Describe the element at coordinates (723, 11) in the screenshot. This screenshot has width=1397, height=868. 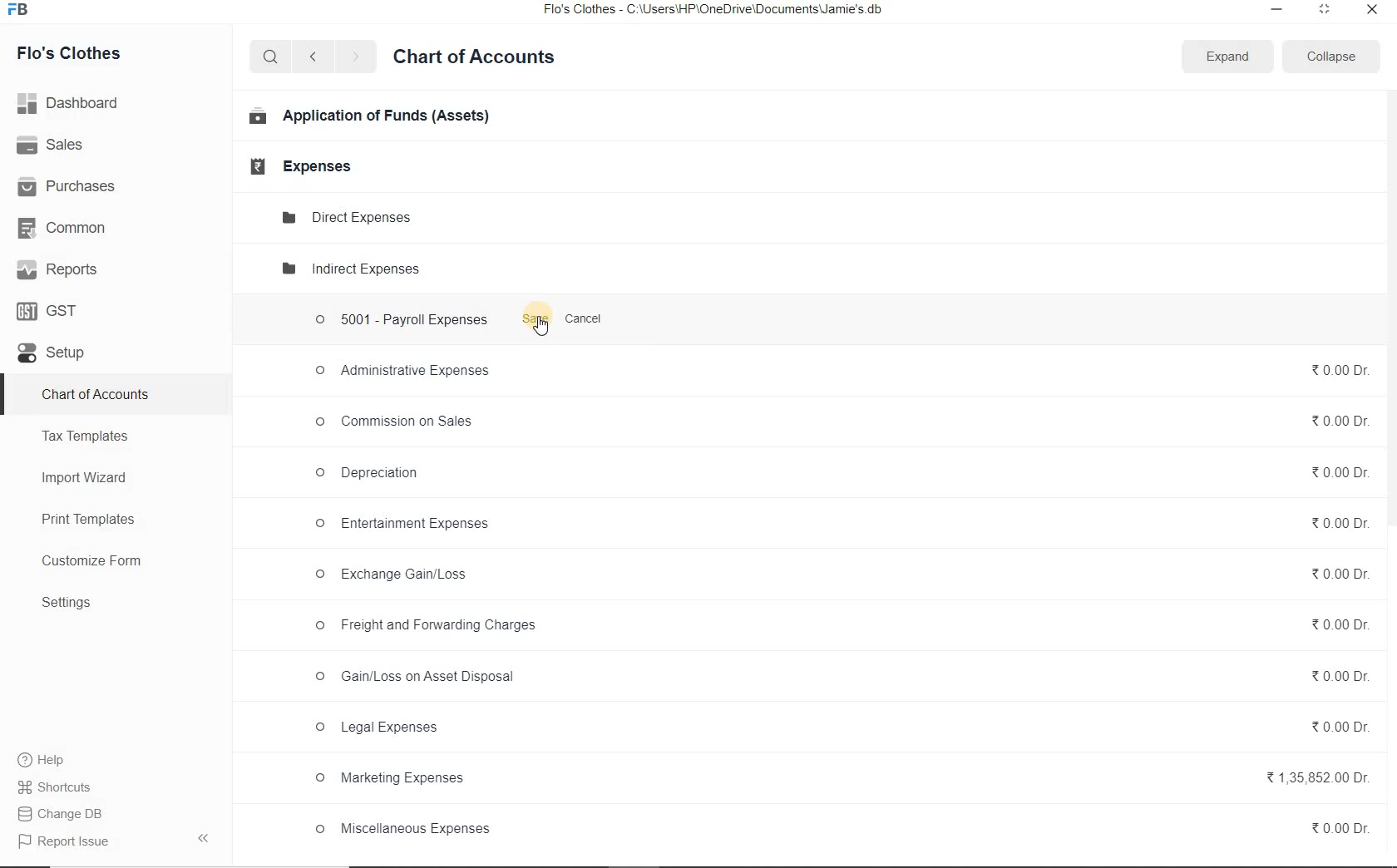
I see `Flo's Clothes - C:\Users\HP\OneDrive\Documents\Jamie's db` at that location.